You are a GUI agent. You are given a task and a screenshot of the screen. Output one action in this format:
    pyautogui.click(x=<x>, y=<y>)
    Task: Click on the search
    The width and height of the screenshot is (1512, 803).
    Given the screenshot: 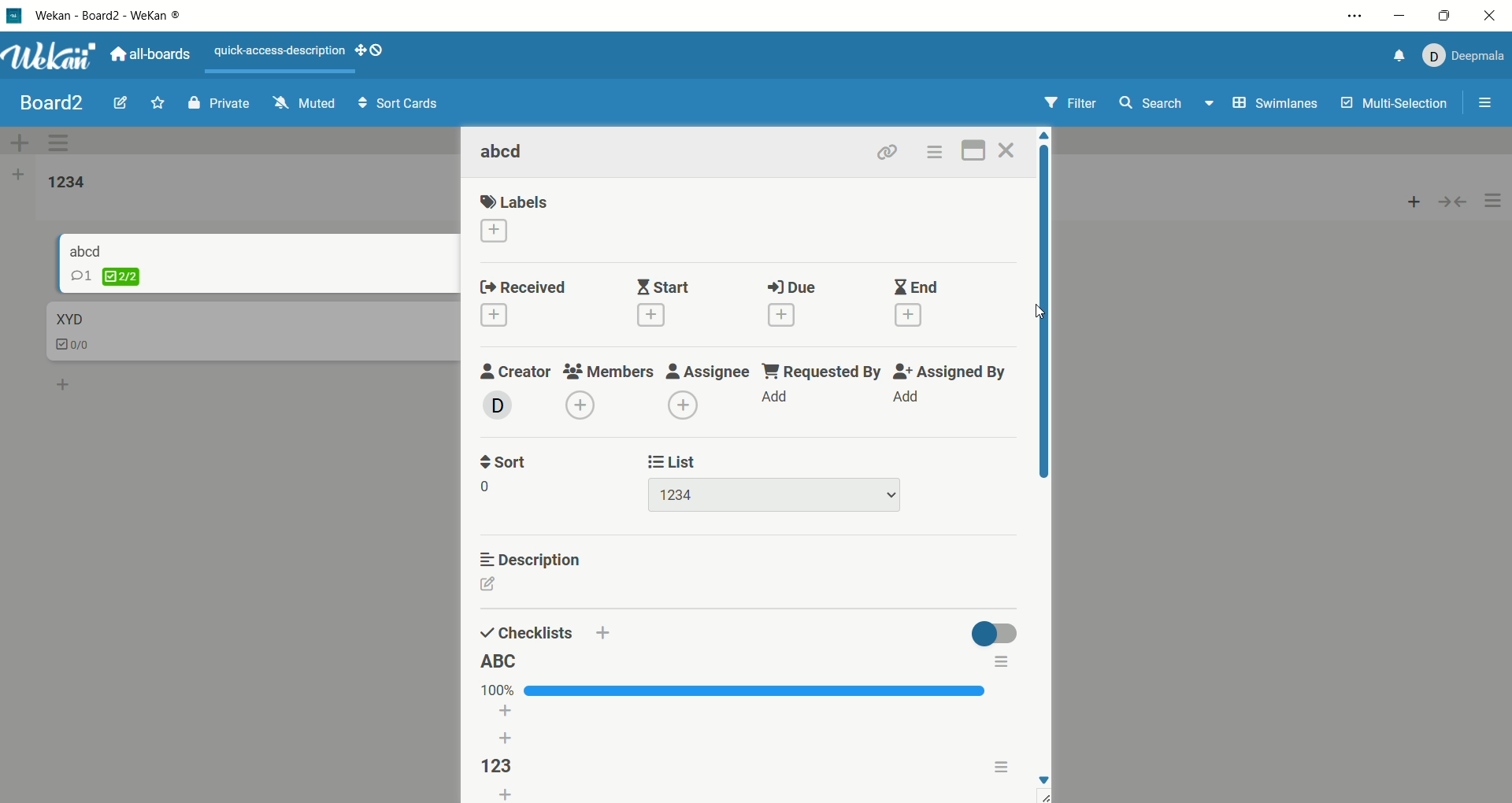 What is the action you would take?
    pyautogui.click(x=1168, y=105)
    